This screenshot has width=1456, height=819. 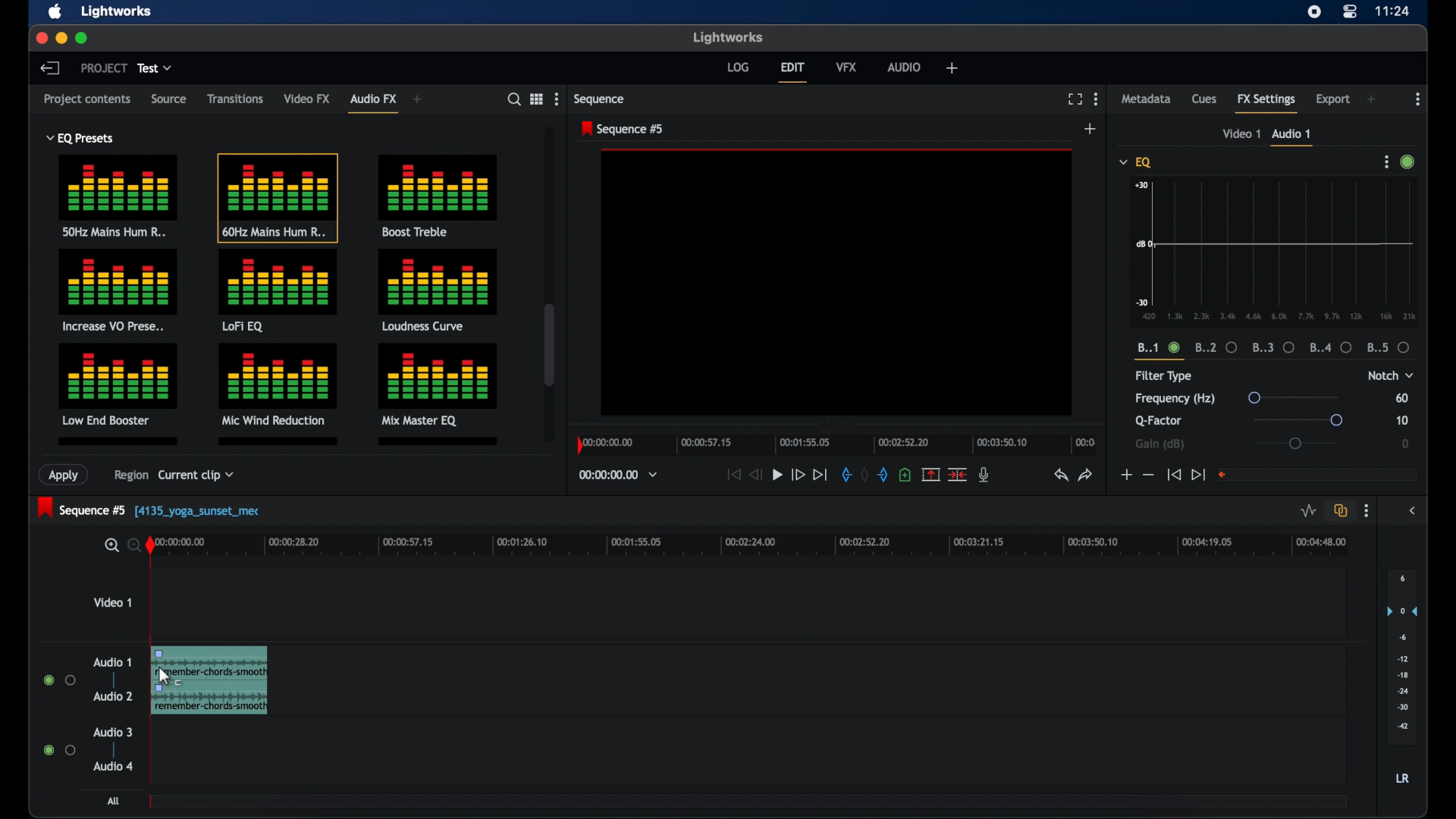 I want to click on radio buttons, so click(x=59, y=679).